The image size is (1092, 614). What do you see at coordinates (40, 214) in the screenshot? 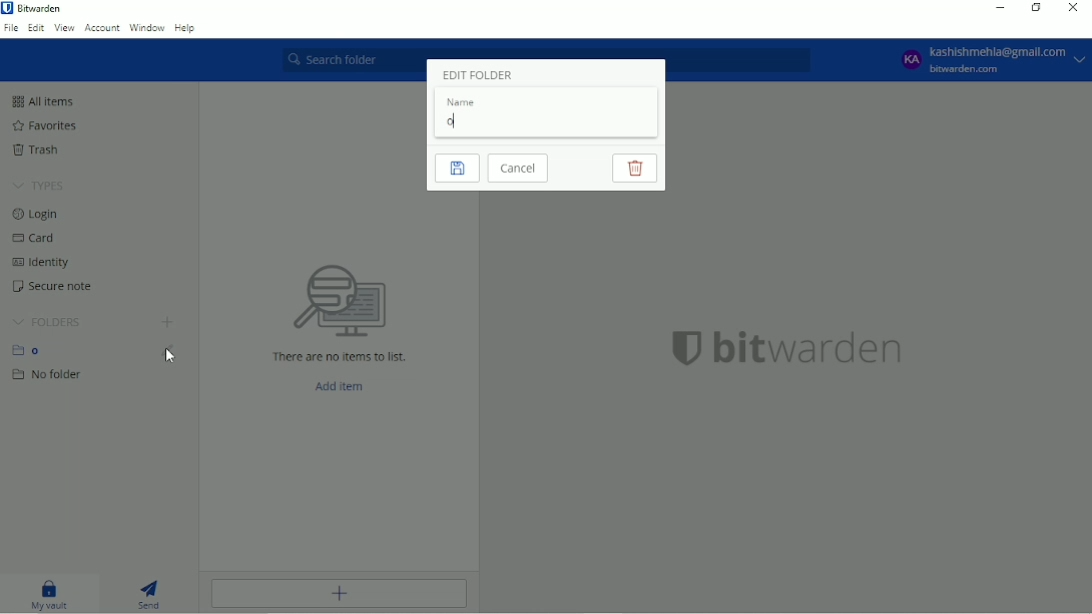
I see `Login` at bounding box center [40, 214].